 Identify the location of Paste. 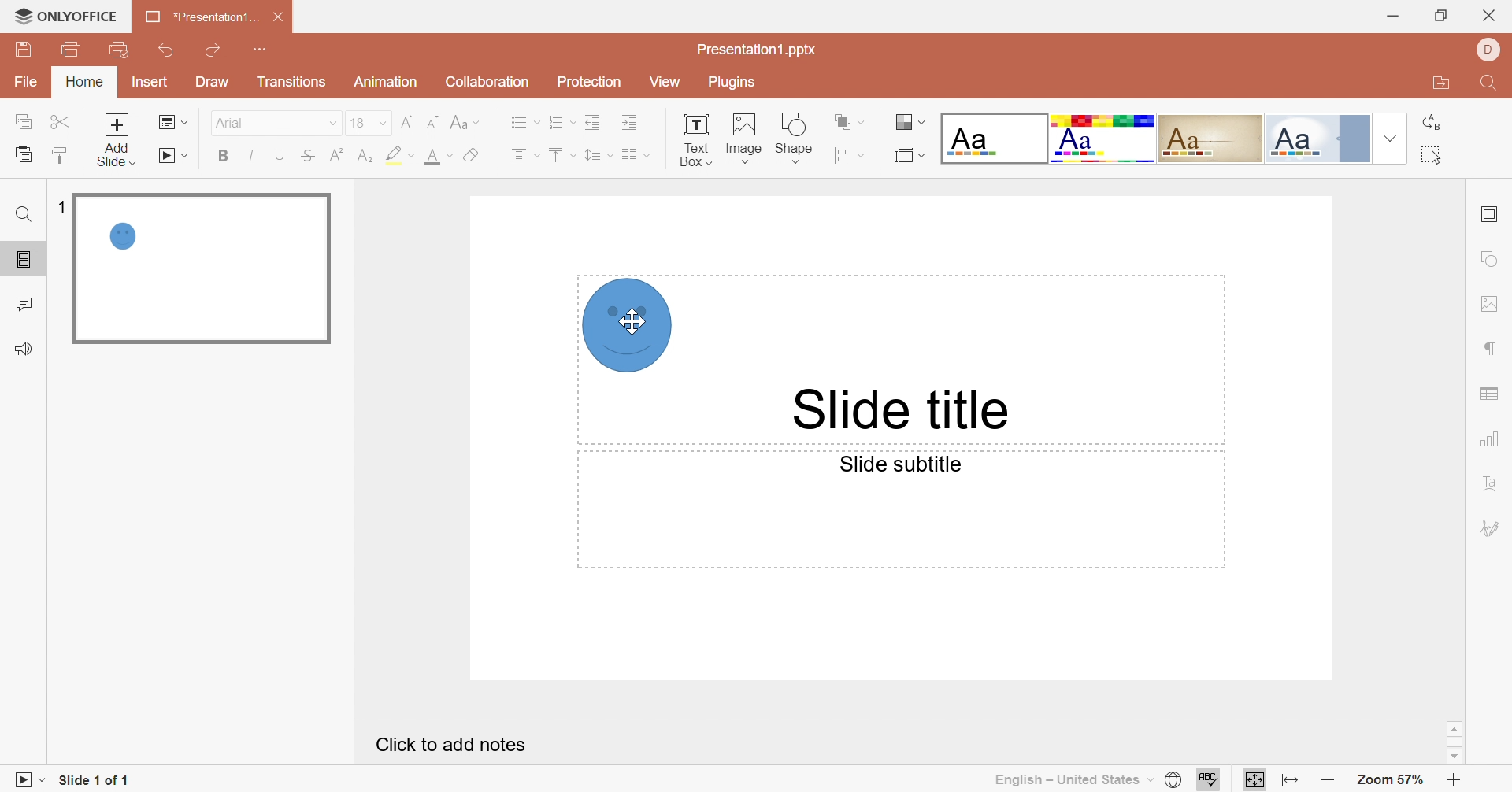
(22, 154).